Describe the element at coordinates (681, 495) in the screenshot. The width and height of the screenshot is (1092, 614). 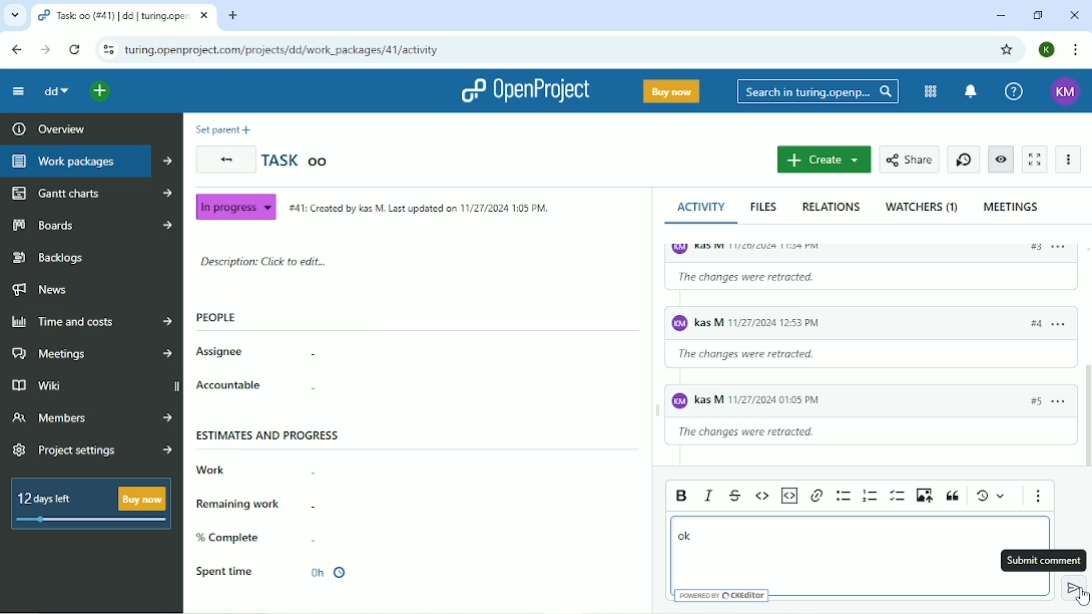
I see `Bold` at that location.